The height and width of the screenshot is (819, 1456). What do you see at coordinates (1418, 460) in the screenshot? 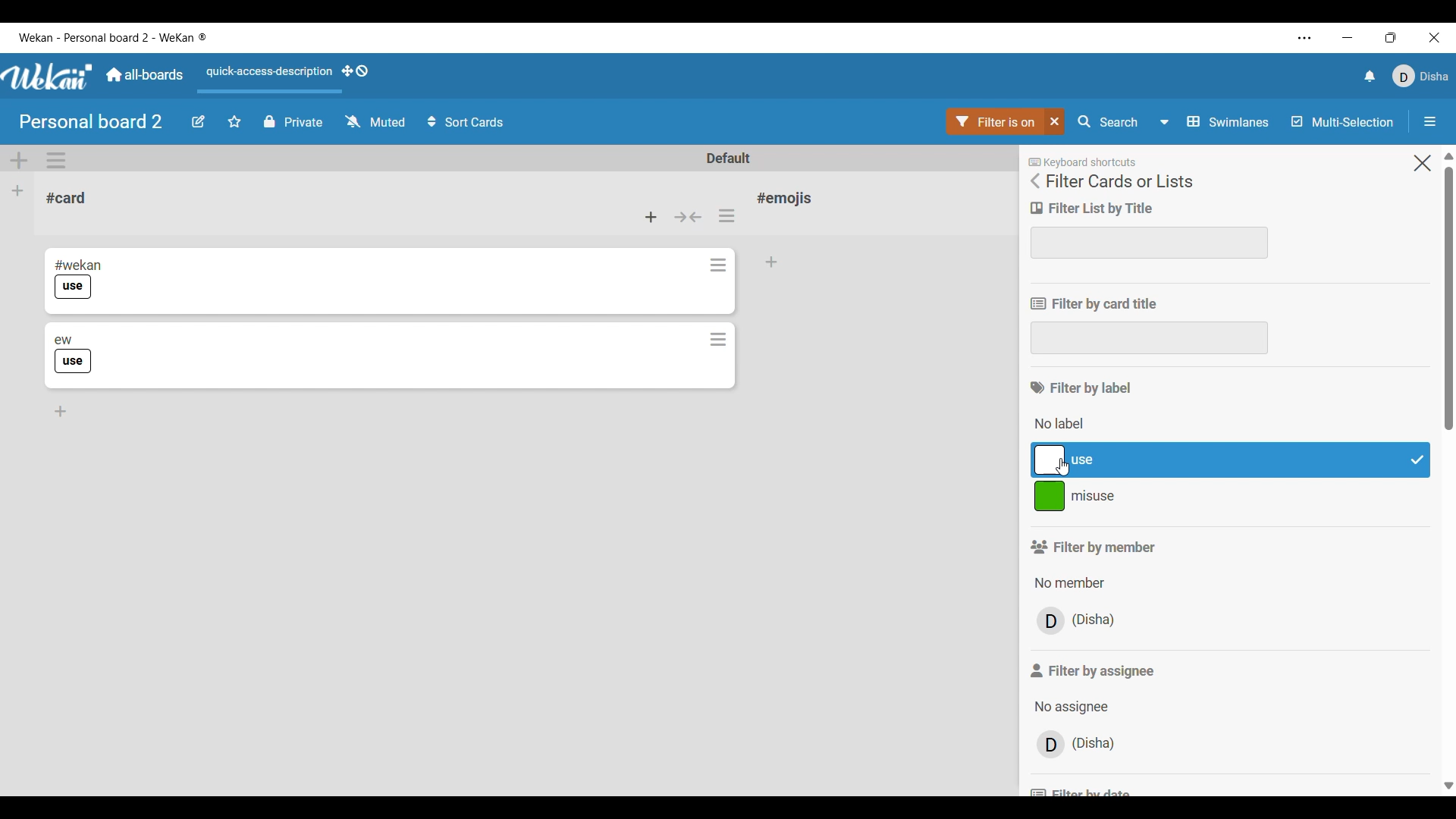
I see `Check mark indicates filter has been selected` at bounding box center [1418, 460].